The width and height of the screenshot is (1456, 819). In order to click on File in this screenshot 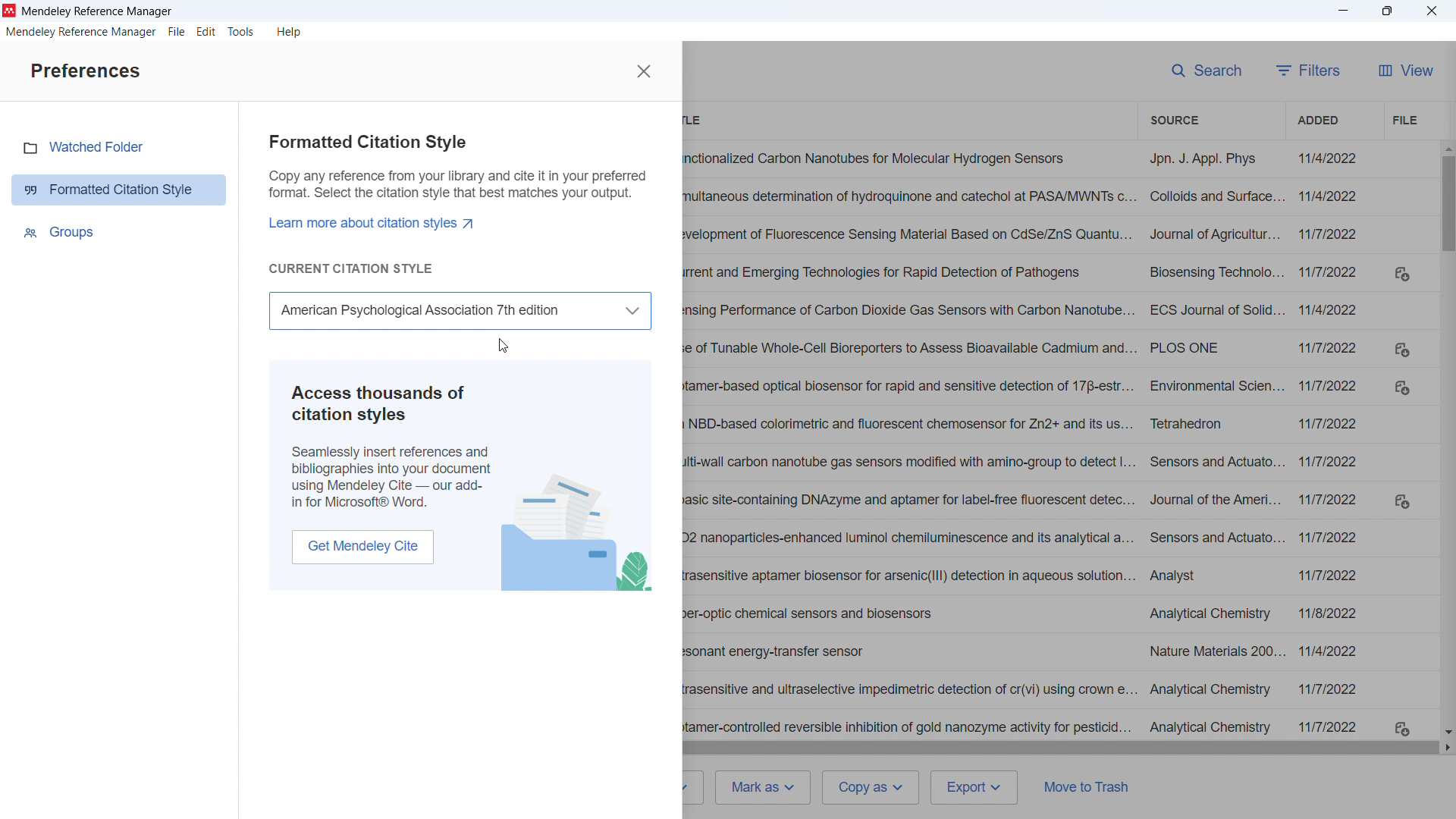, I will do `click(1404, 121)`.